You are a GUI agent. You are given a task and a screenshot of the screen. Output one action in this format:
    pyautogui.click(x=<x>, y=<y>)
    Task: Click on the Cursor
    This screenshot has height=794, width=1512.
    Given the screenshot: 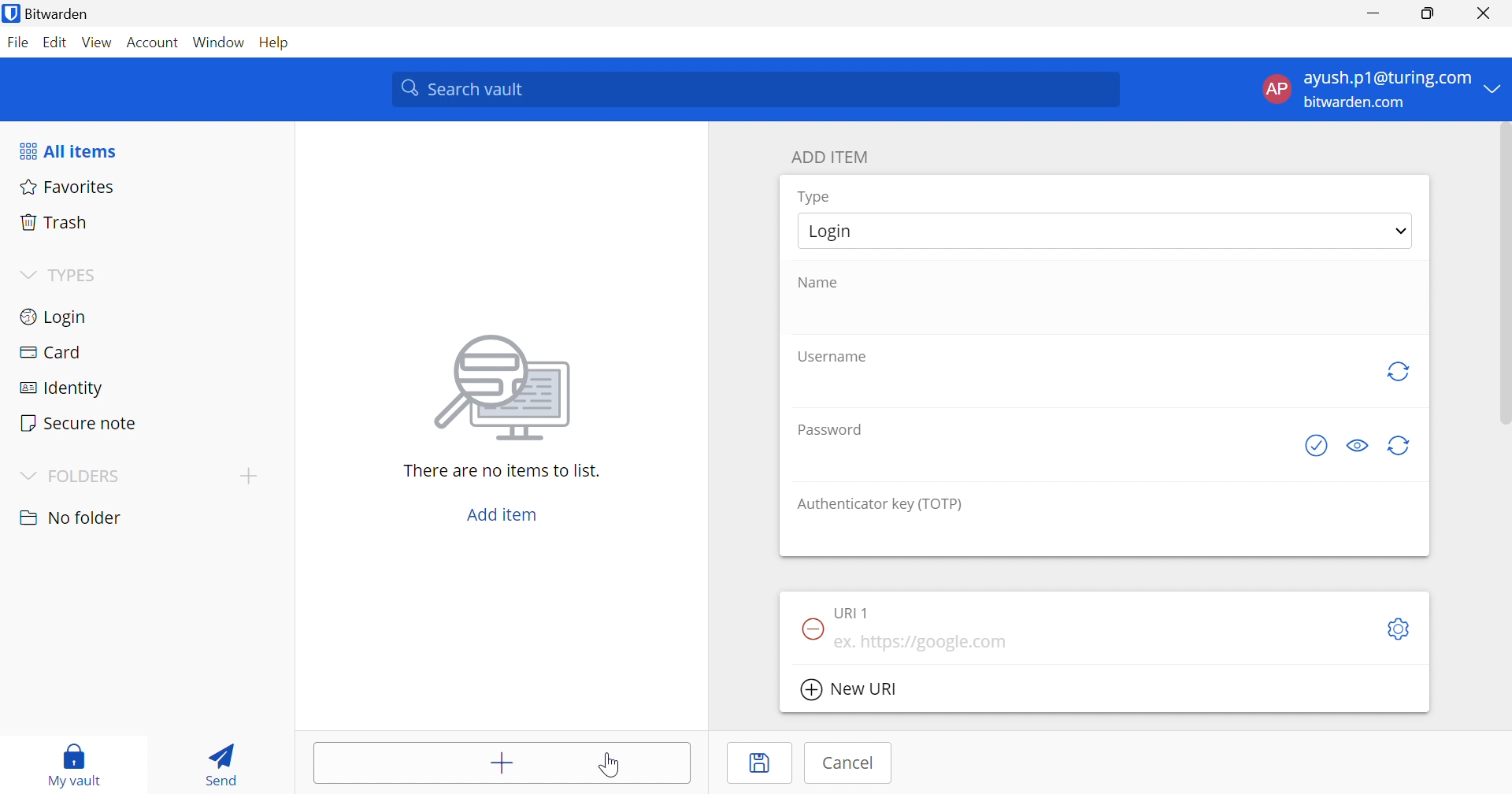 What is the action you would take?
    pyautogui.click(x=613, y=763)
    